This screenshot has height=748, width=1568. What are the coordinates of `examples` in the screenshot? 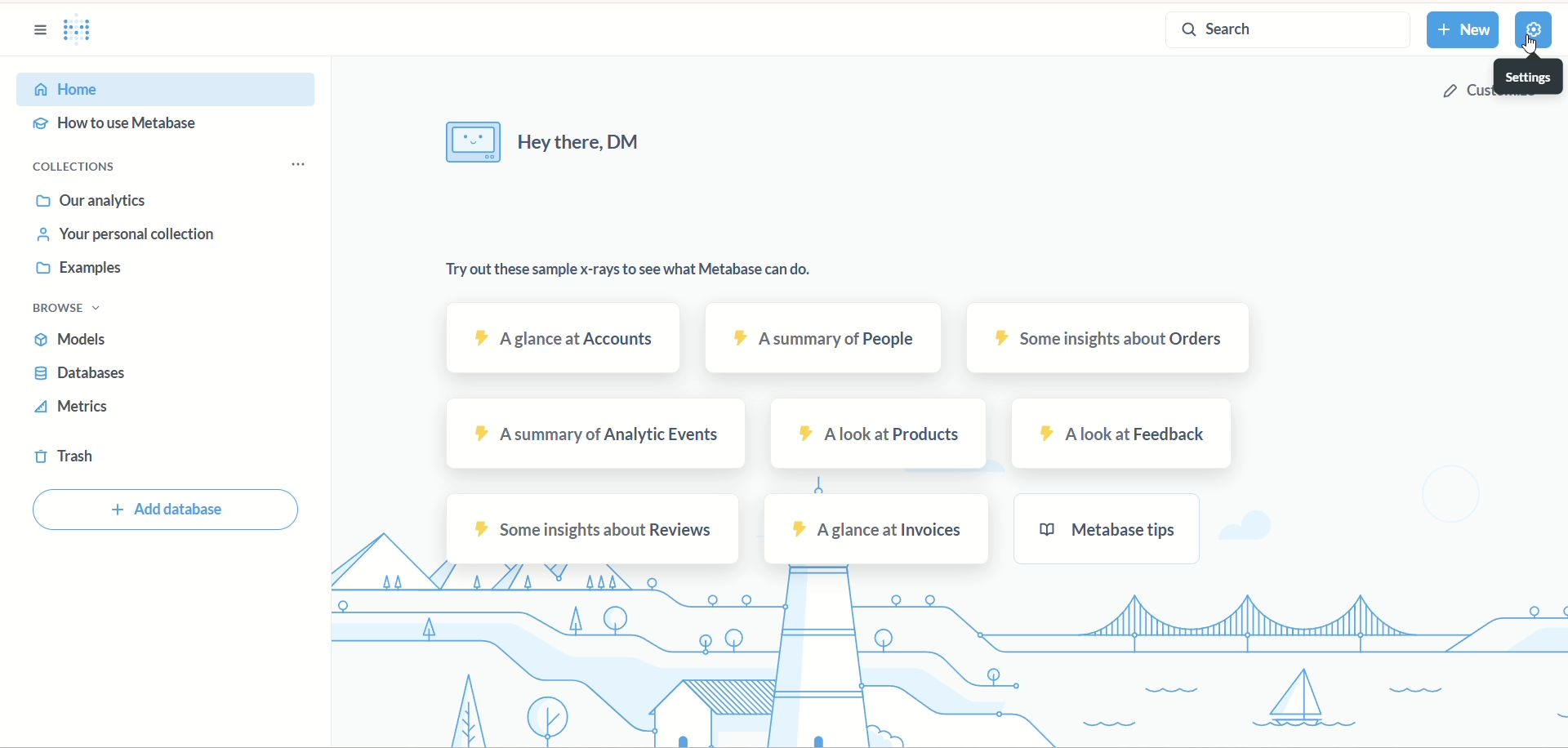 It's located at (85, 266).